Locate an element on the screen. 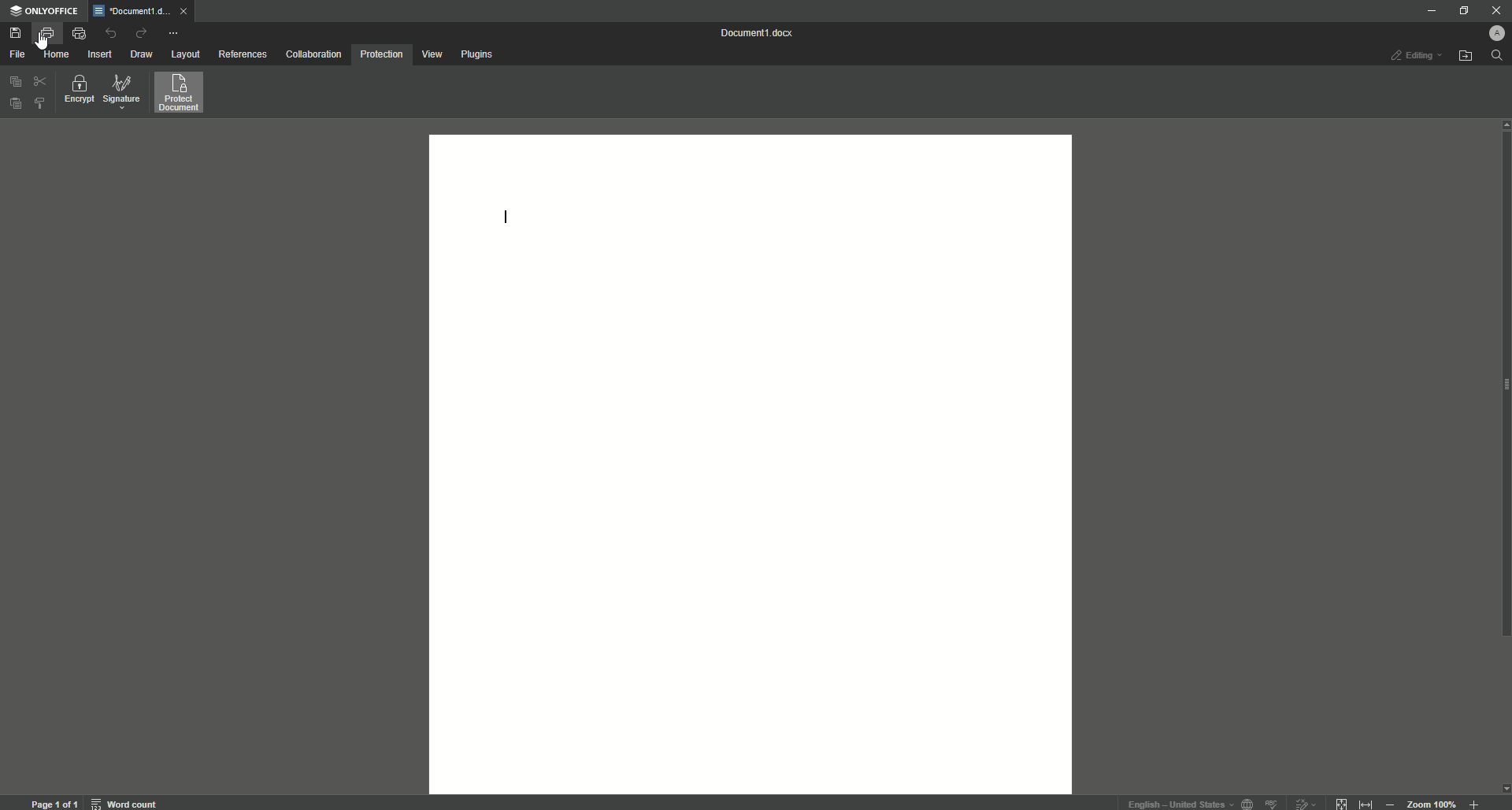 The width and height of the screenshot is (1512, 810). Document 1 is located at coordinates (756, 32).